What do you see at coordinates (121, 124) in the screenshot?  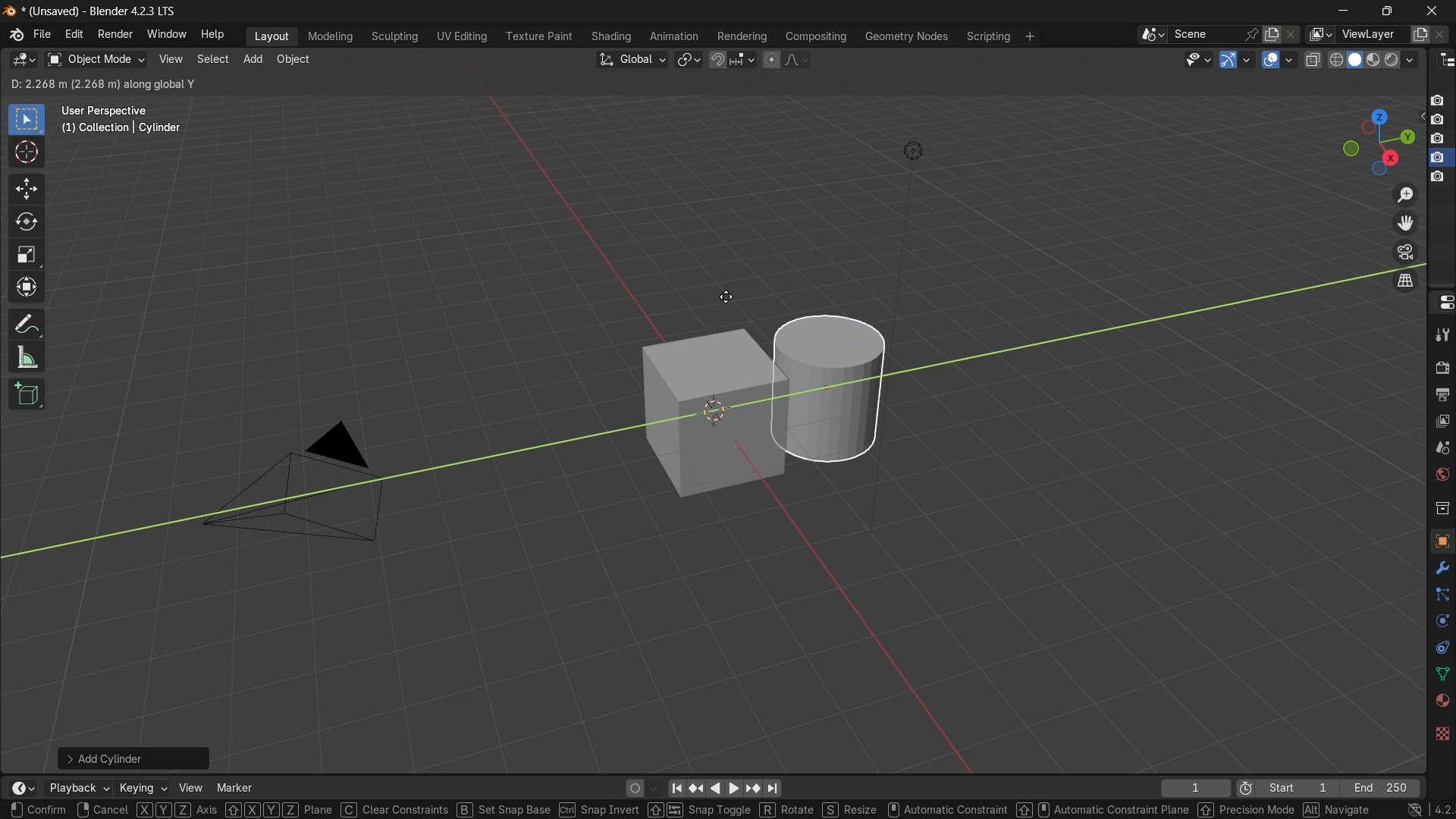 I see `user perspective (1) | collection` at bounding box center [121, 124].